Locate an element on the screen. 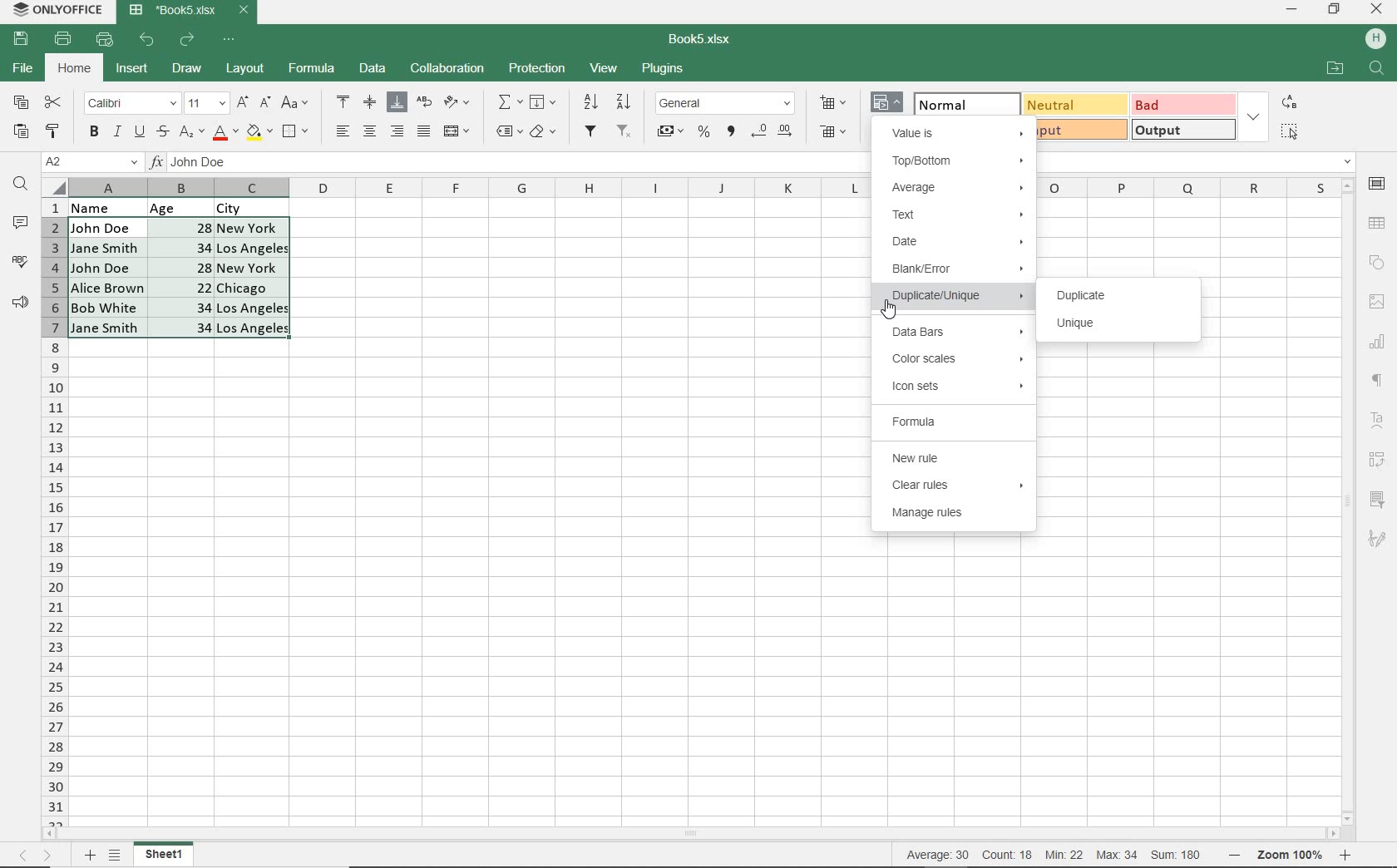 Image resolution: width=1397 pixels, height=868 pixels. FONT SIZE is located at coordinates (204, 103).